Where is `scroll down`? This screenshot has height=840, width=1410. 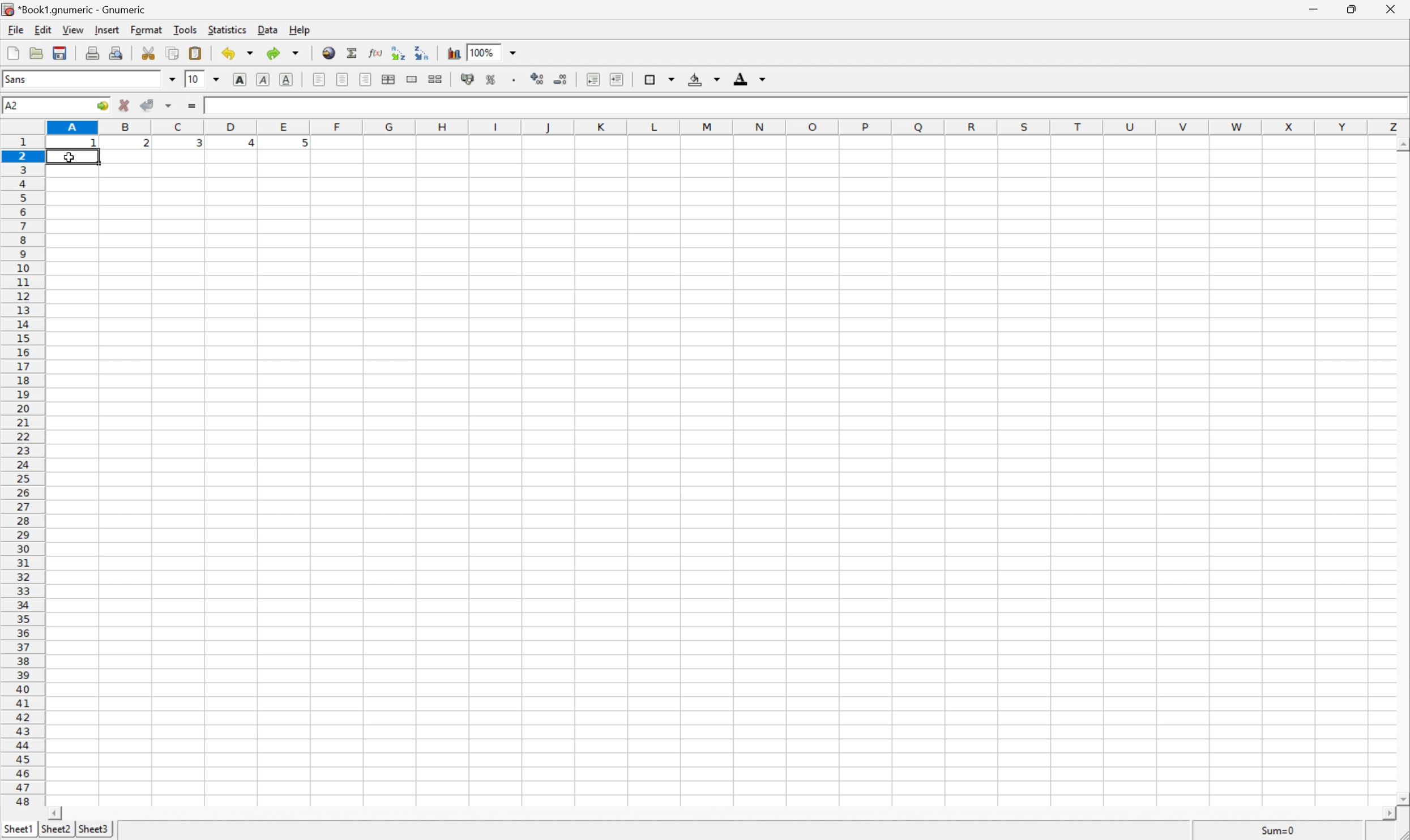
scroll down is located at coordinates (1401, 794).